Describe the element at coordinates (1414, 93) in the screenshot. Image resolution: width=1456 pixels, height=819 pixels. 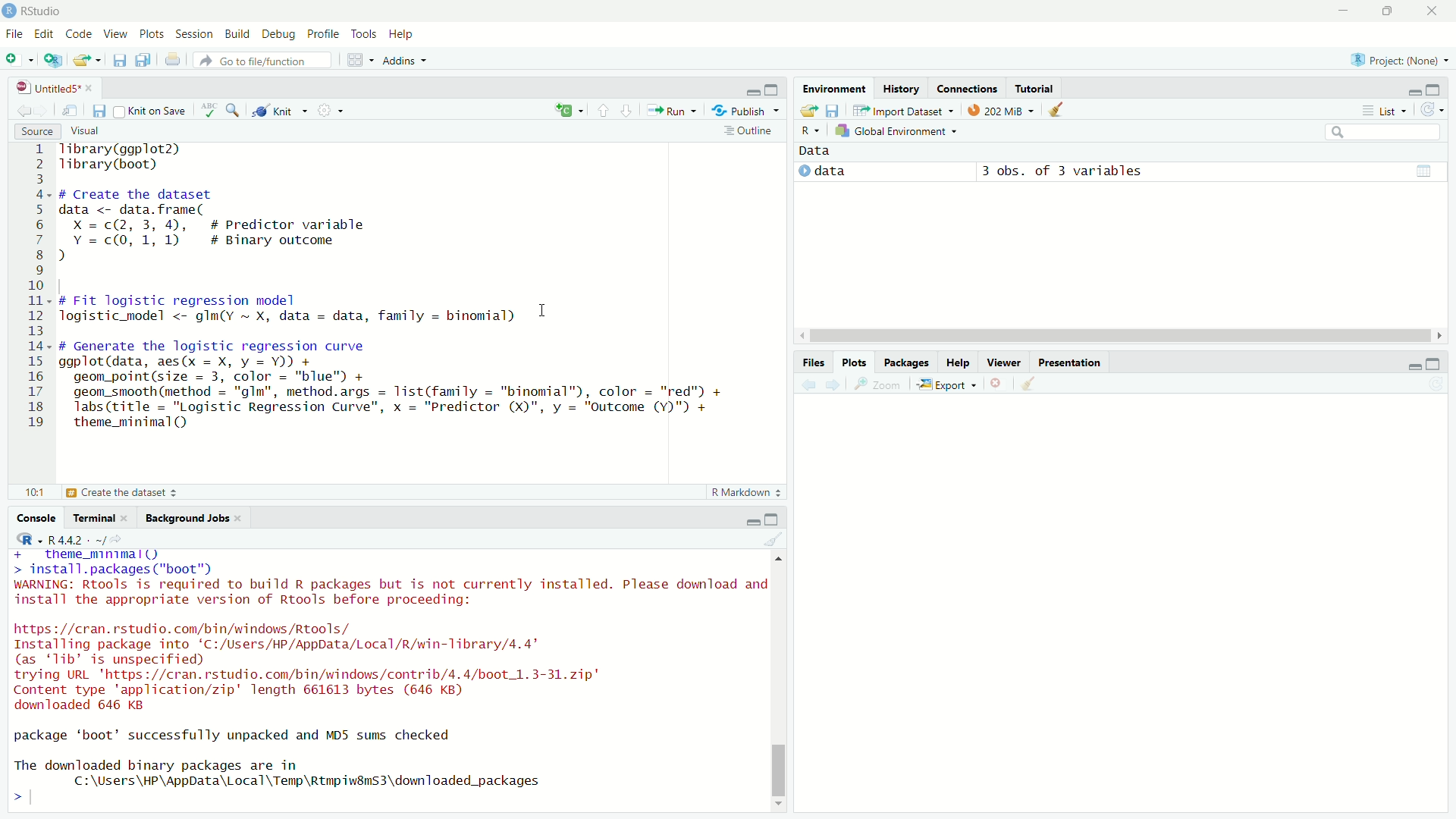
I see `minimize` at that location.